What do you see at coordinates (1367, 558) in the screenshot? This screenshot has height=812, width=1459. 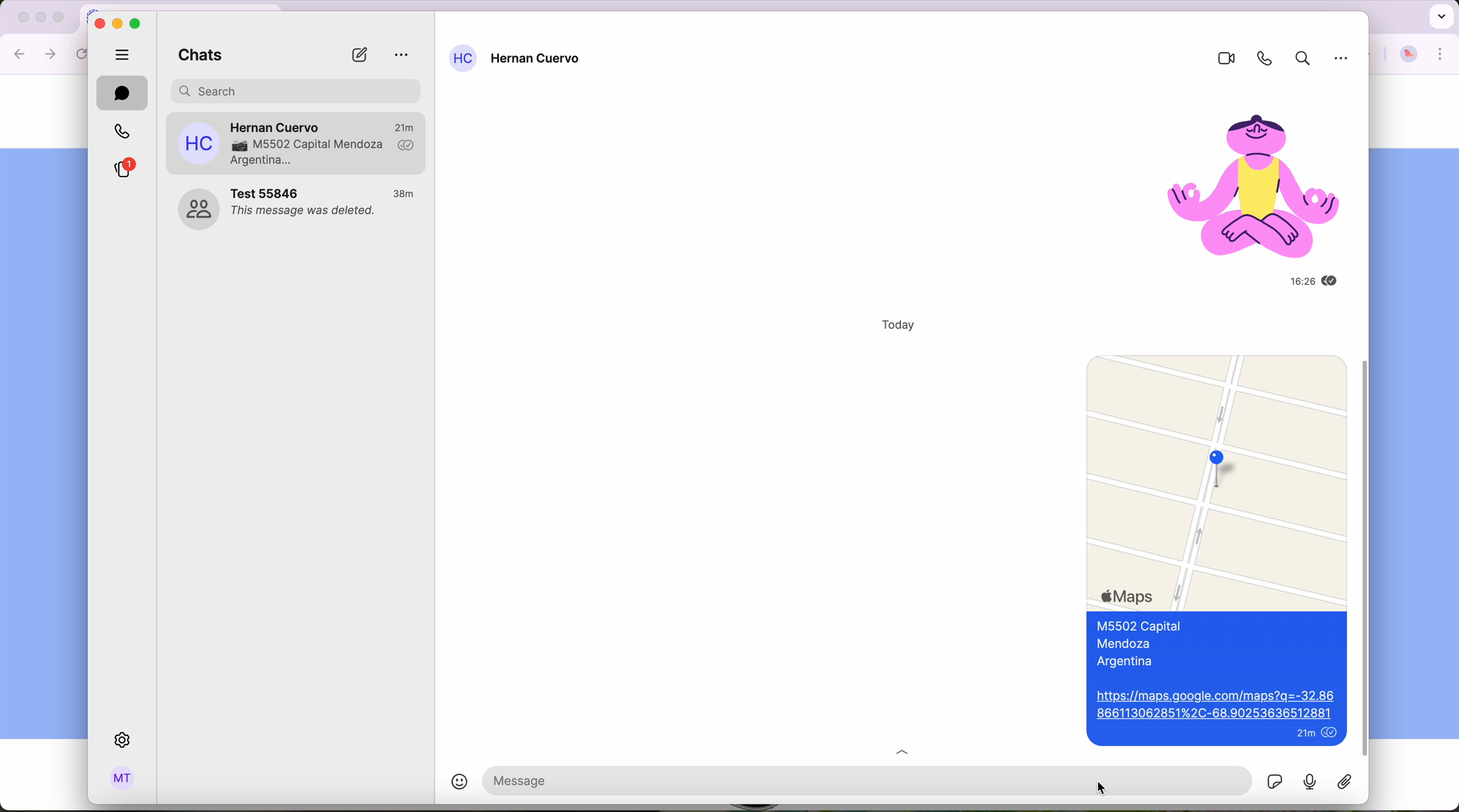 I see `` at bounding box center [1367, 558].